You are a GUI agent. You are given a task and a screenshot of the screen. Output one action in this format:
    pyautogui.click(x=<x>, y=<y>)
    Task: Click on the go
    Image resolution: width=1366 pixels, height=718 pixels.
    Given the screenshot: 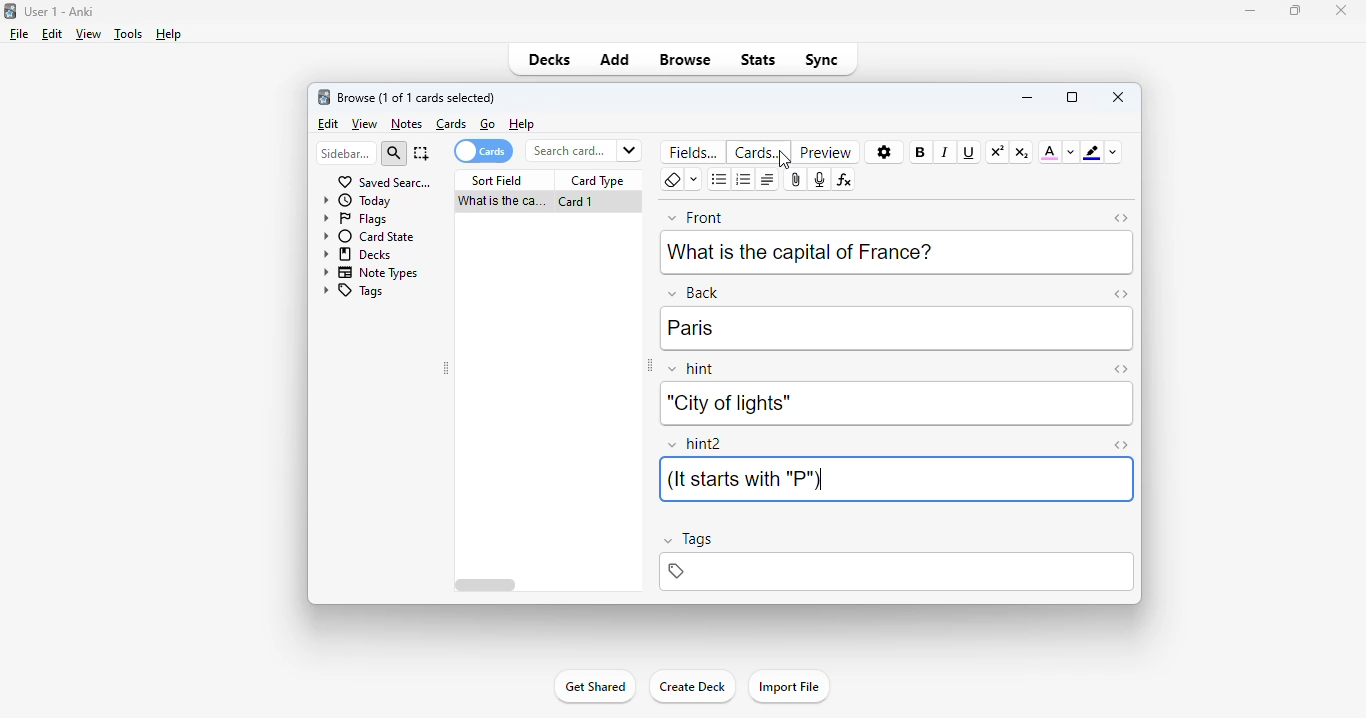 What is the action you would take?
    pyautogui.click(x=488, y=124)
    